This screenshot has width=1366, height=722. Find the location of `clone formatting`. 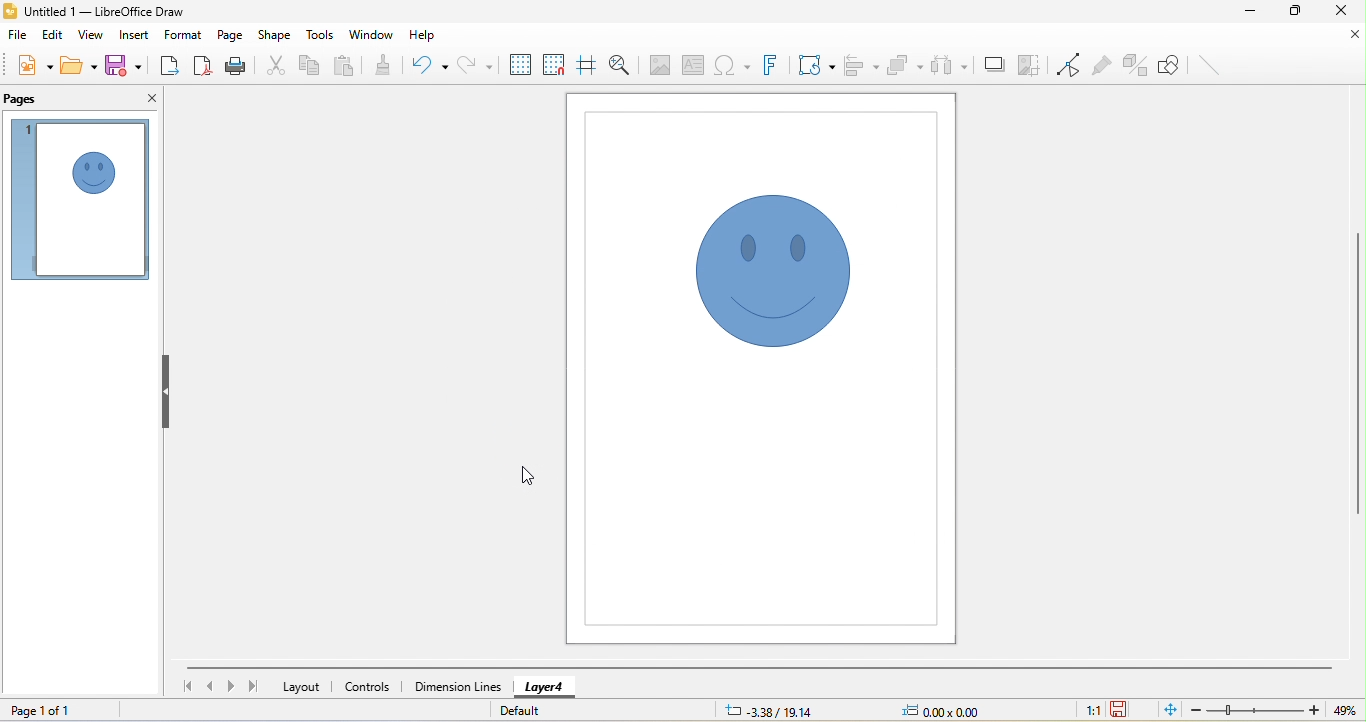

clone formatting is located at coordinates (389, 64).